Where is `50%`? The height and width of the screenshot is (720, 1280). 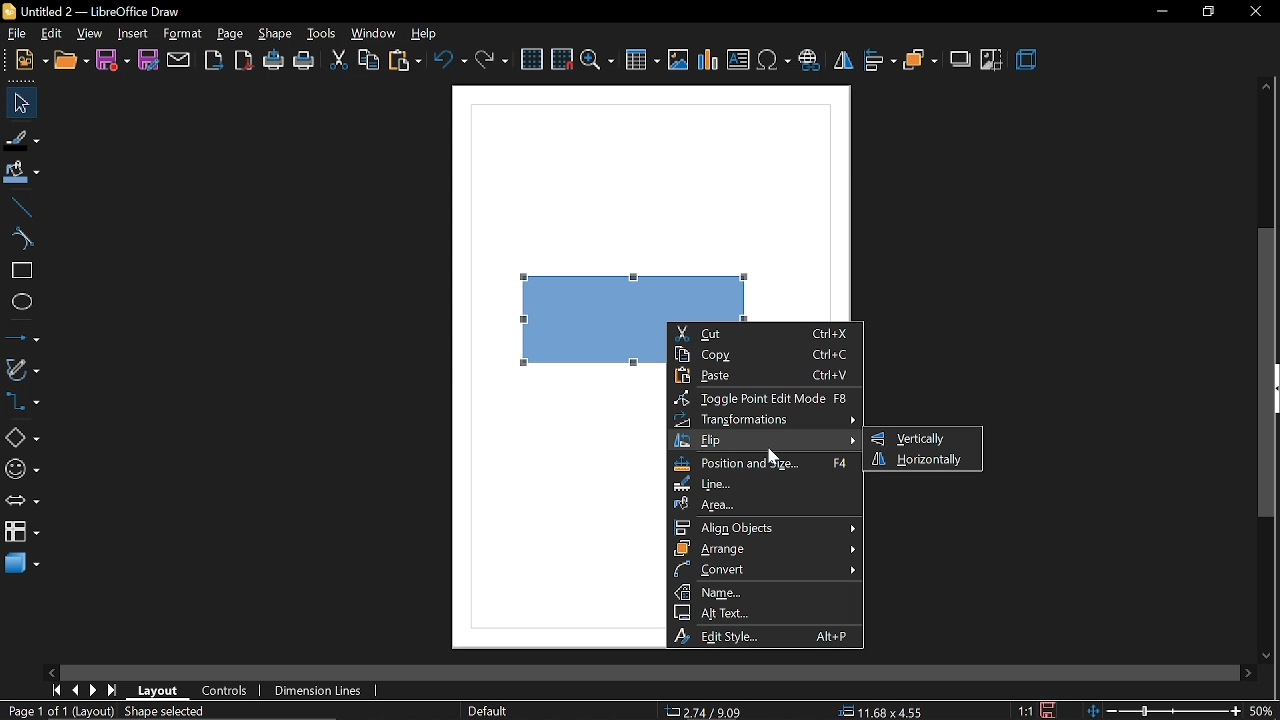
50% is located at coordinates (1264, 711).